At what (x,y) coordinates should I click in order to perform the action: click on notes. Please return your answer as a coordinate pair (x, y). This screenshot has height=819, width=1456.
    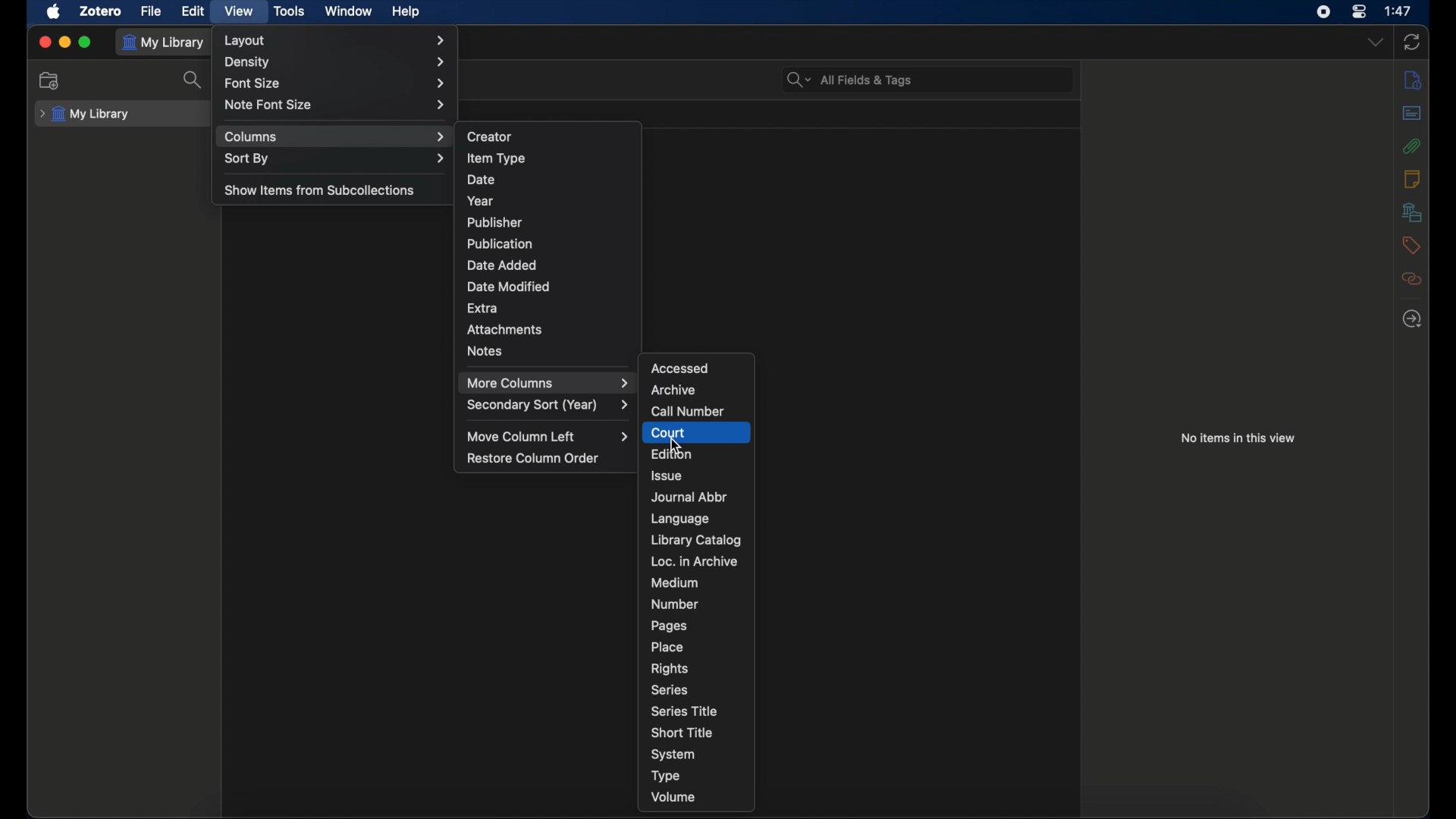
    Looking at the image, I should click on (1410, 178).